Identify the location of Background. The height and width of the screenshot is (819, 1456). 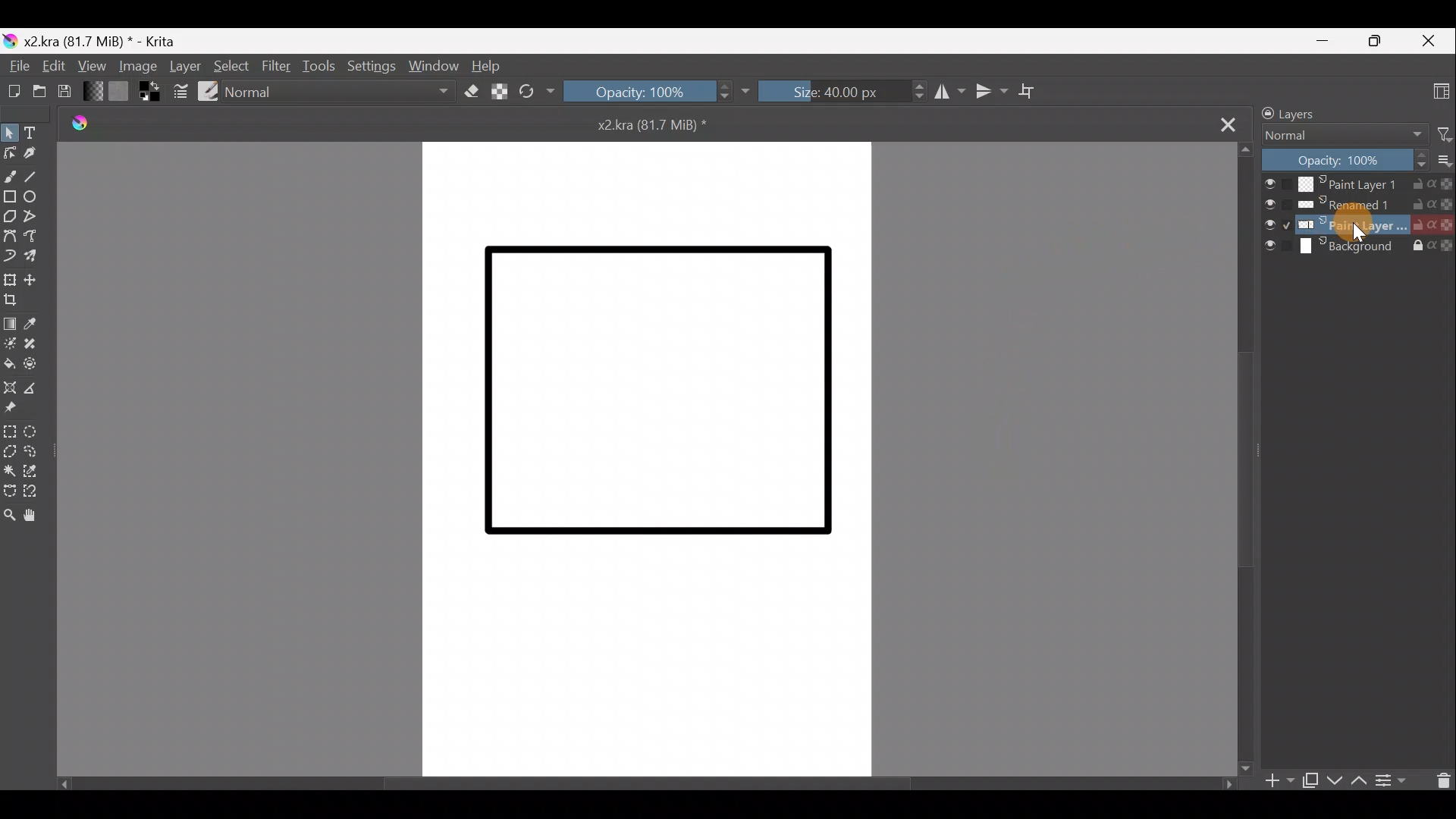
(1357, 249).